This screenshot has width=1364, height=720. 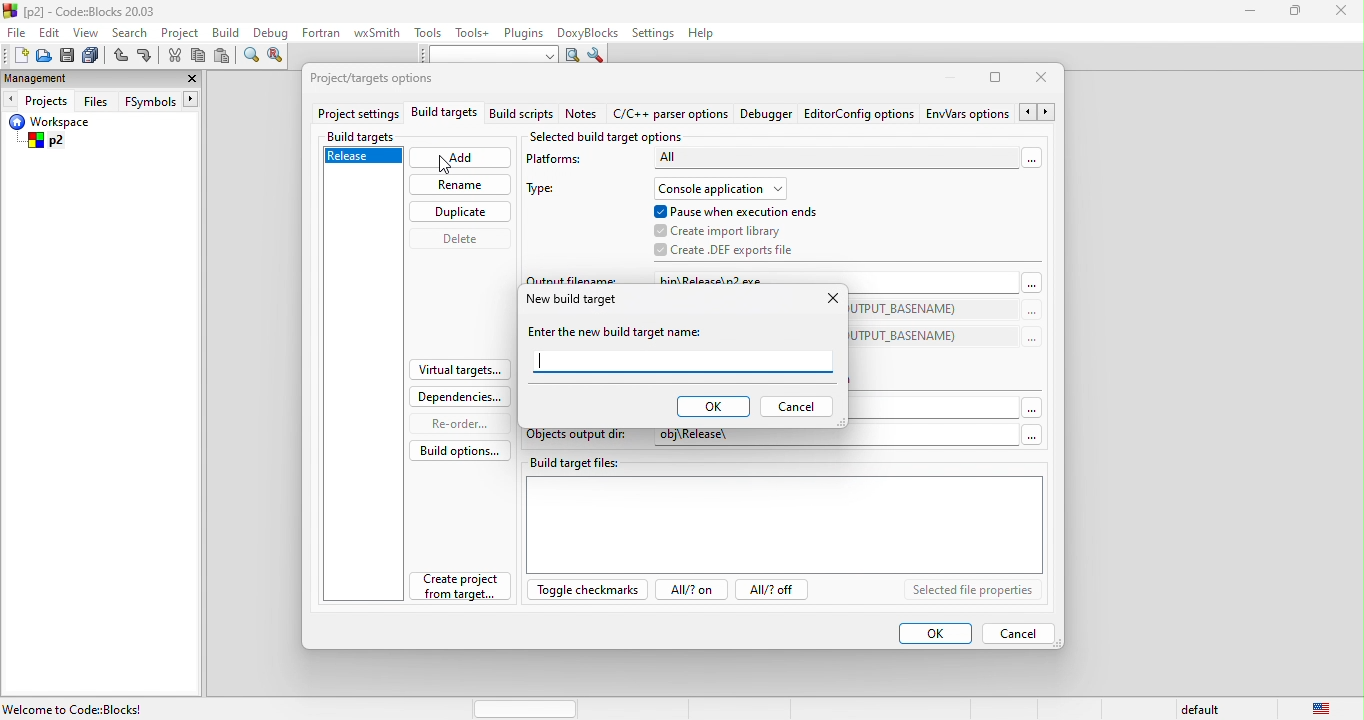 What do you see at coordinates (81, 11) in the screenshot?
I see `[p2] - Code=Blocks 20.03` at bounding box center [81, 11].